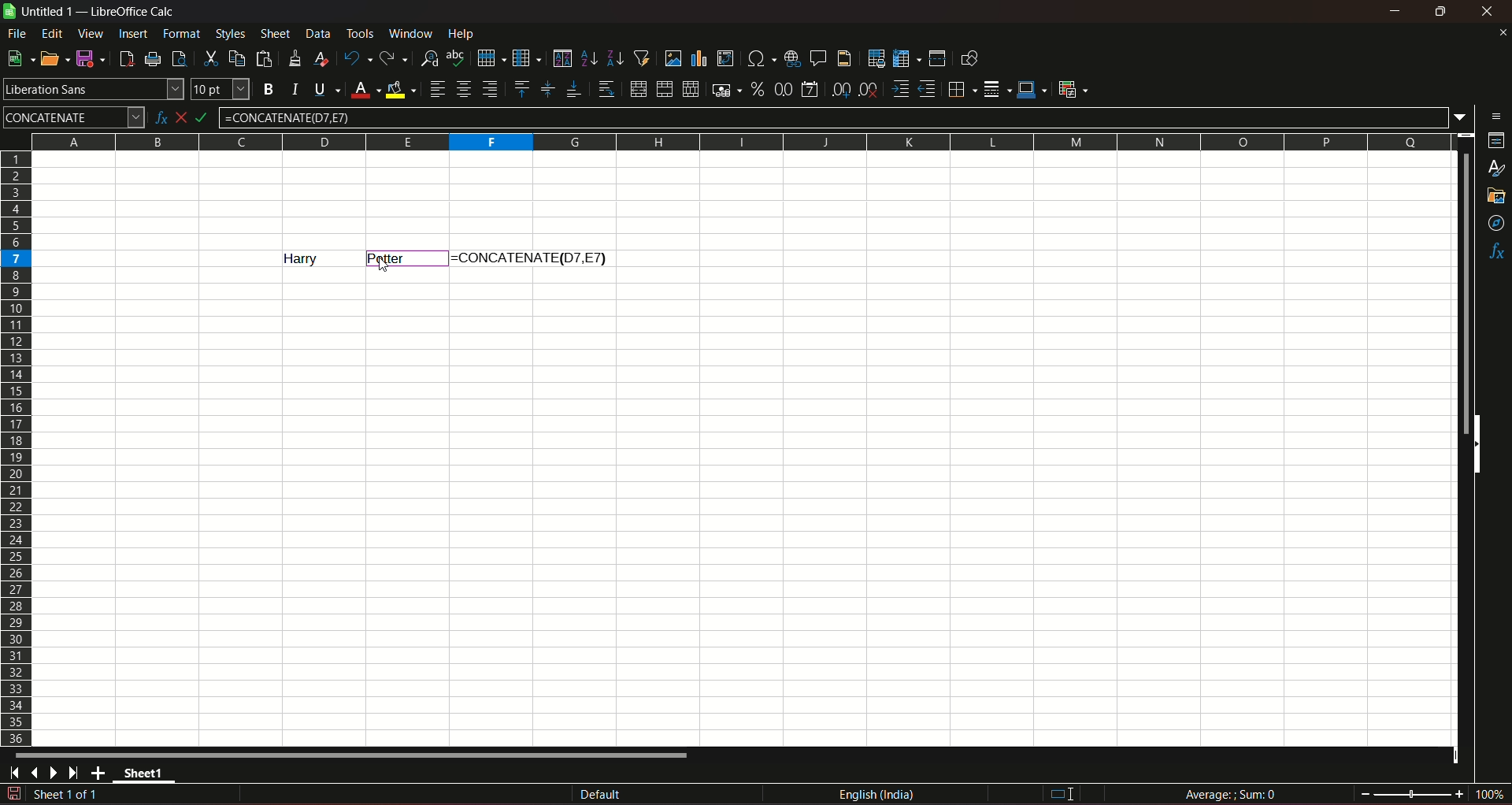  Describe the element at coordinates (326, 89) in the screenshot. I see `underline` at that location.